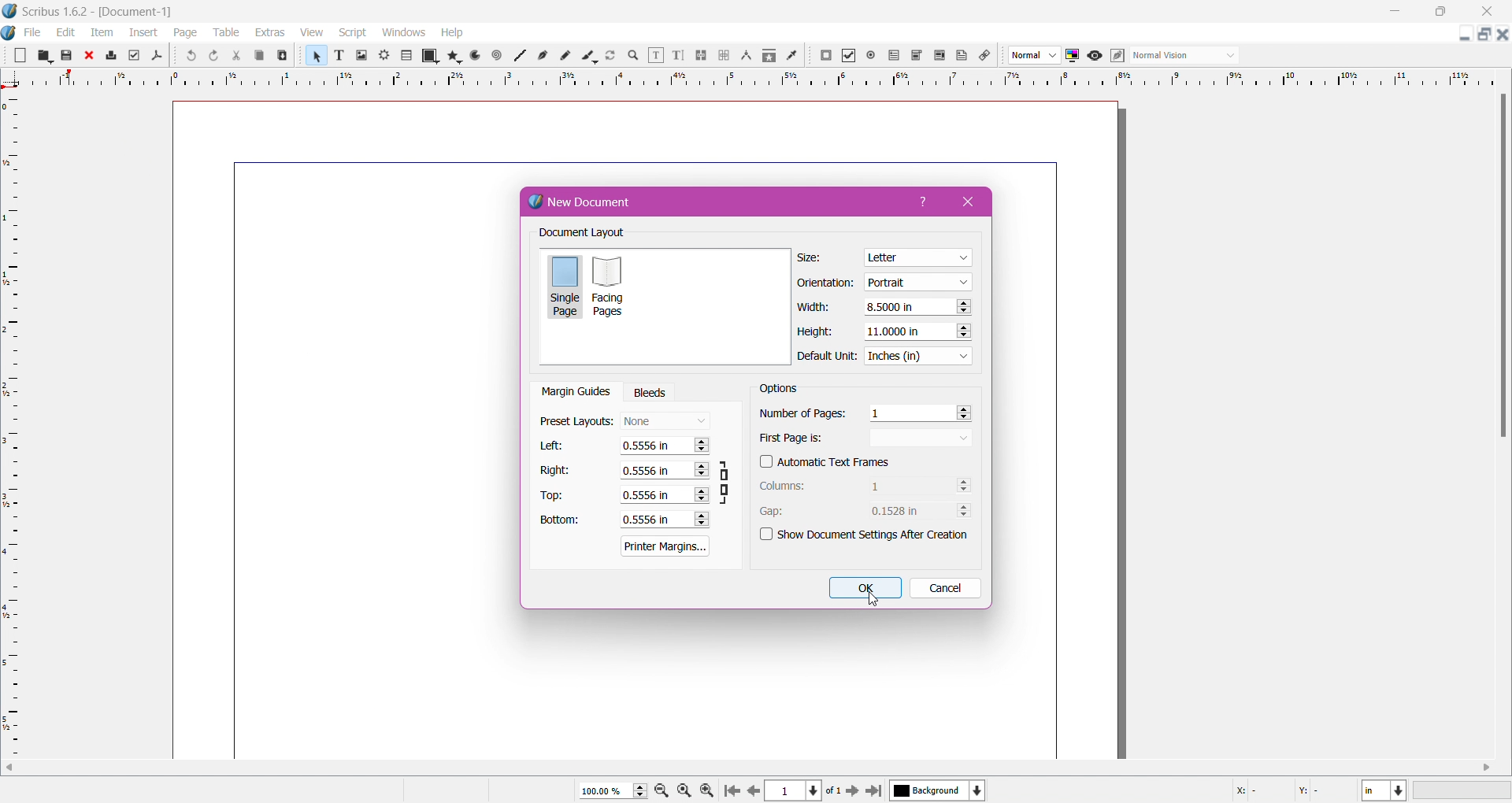  Describe the element at coordinates (812, 255) in the screenshot. I see `size` at that location.